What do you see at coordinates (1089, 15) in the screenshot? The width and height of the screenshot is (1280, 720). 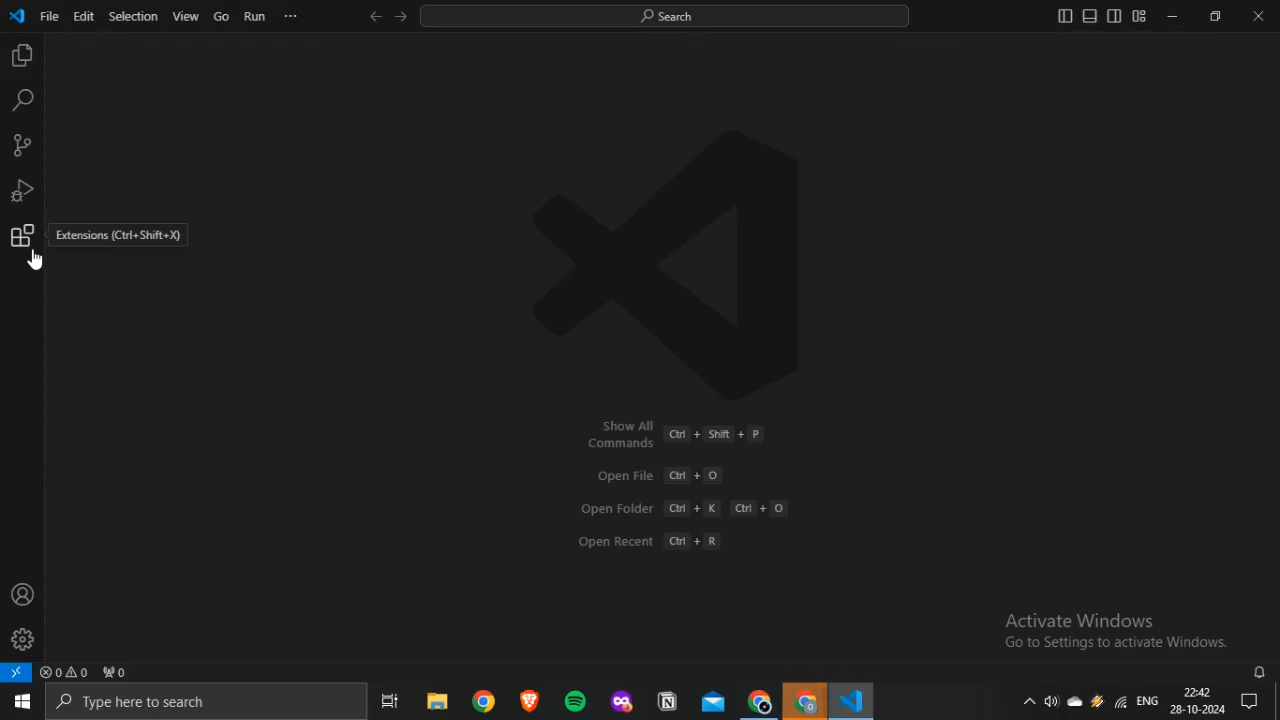 I see `toggle panel` at bounding box center [1089, 15].